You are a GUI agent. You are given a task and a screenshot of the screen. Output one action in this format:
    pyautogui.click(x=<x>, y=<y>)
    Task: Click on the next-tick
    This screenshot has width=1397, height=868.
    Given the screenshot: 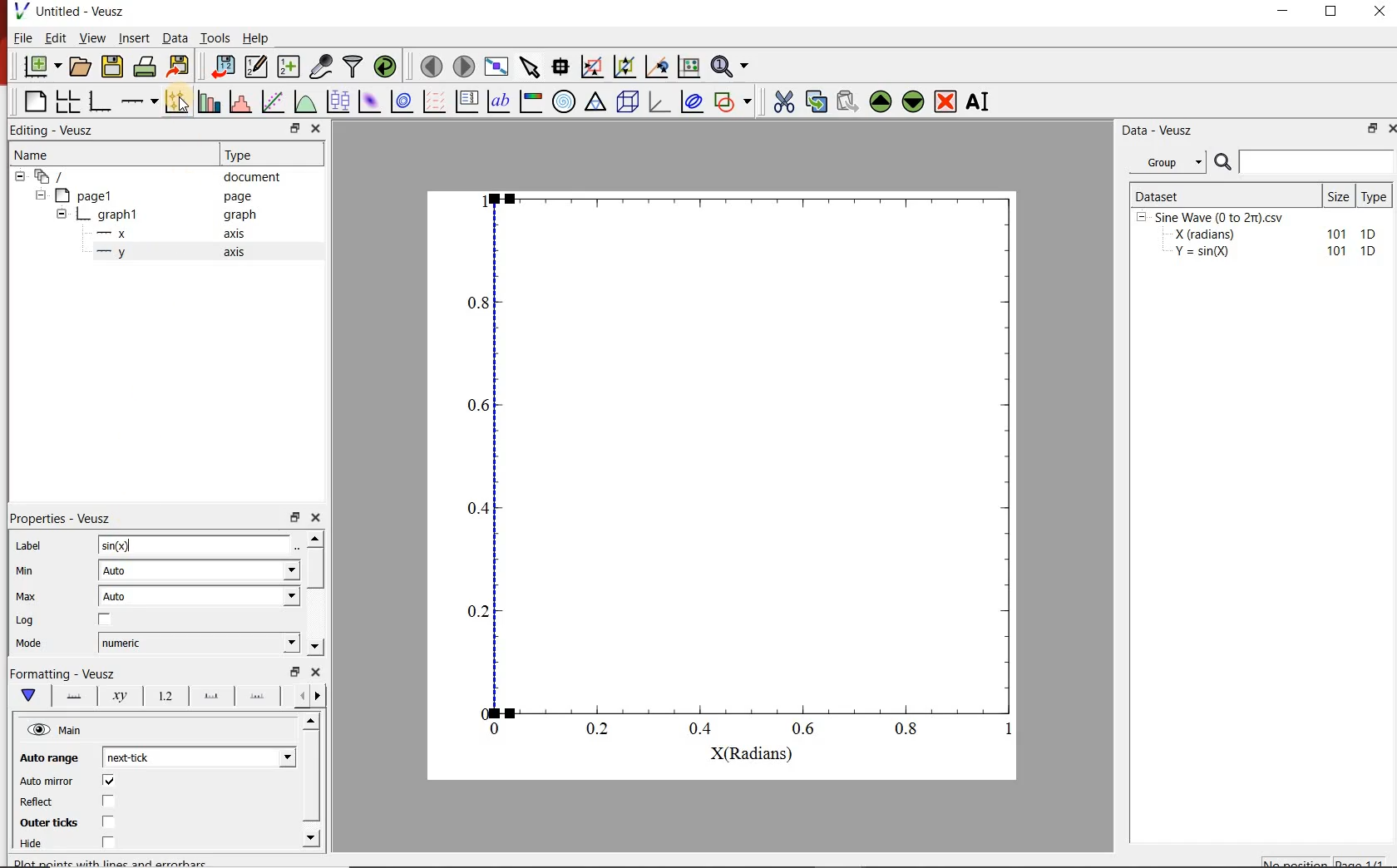 What is the action you would take?
    pyautogui.click(x=196, y=756)
    